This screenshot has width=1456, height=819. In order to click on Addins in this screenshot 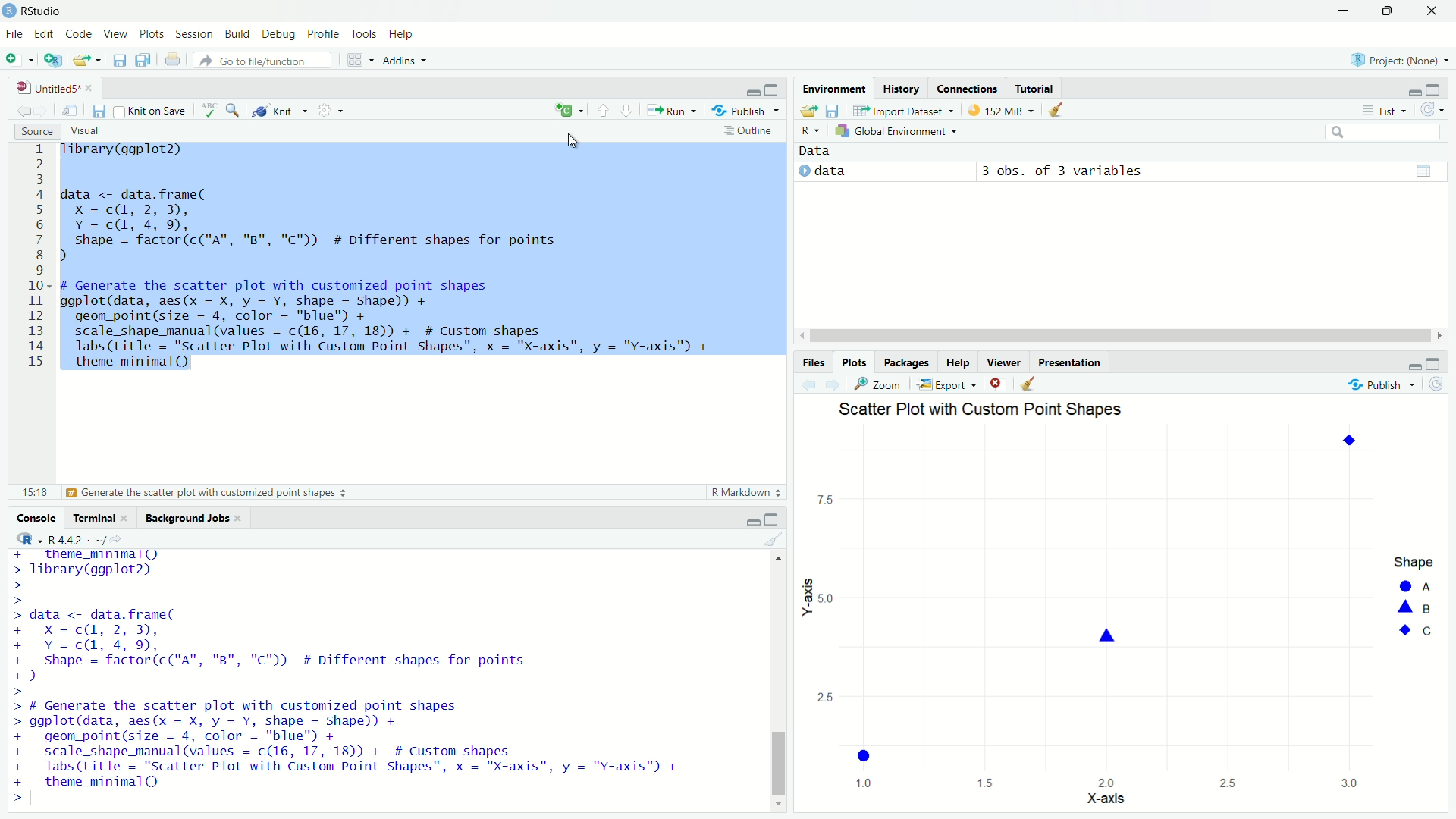, I will do `click(406, 60)`.